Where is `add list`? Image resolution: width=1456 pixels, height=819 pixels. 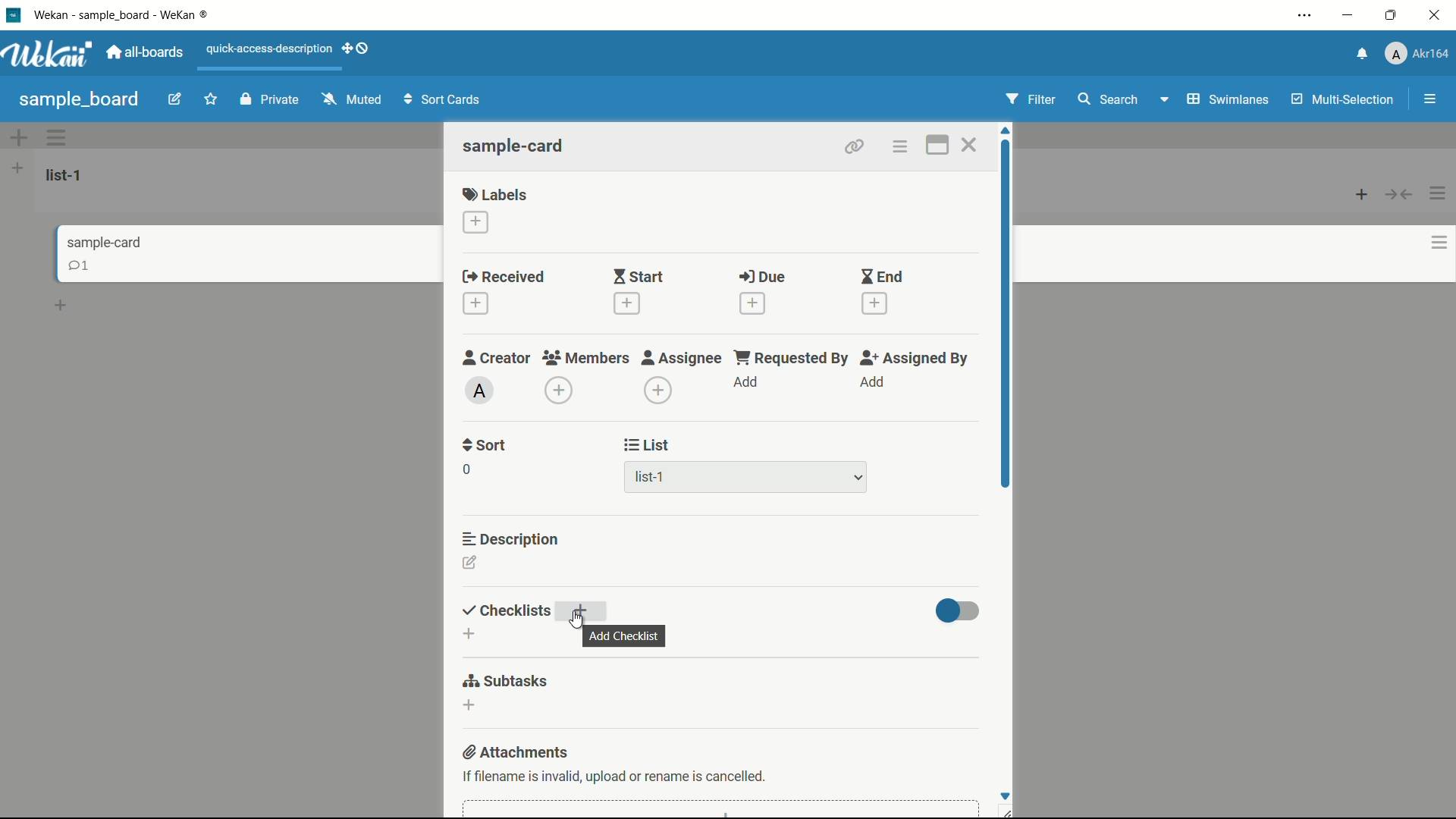
add list is located at coordinates (18, 170).